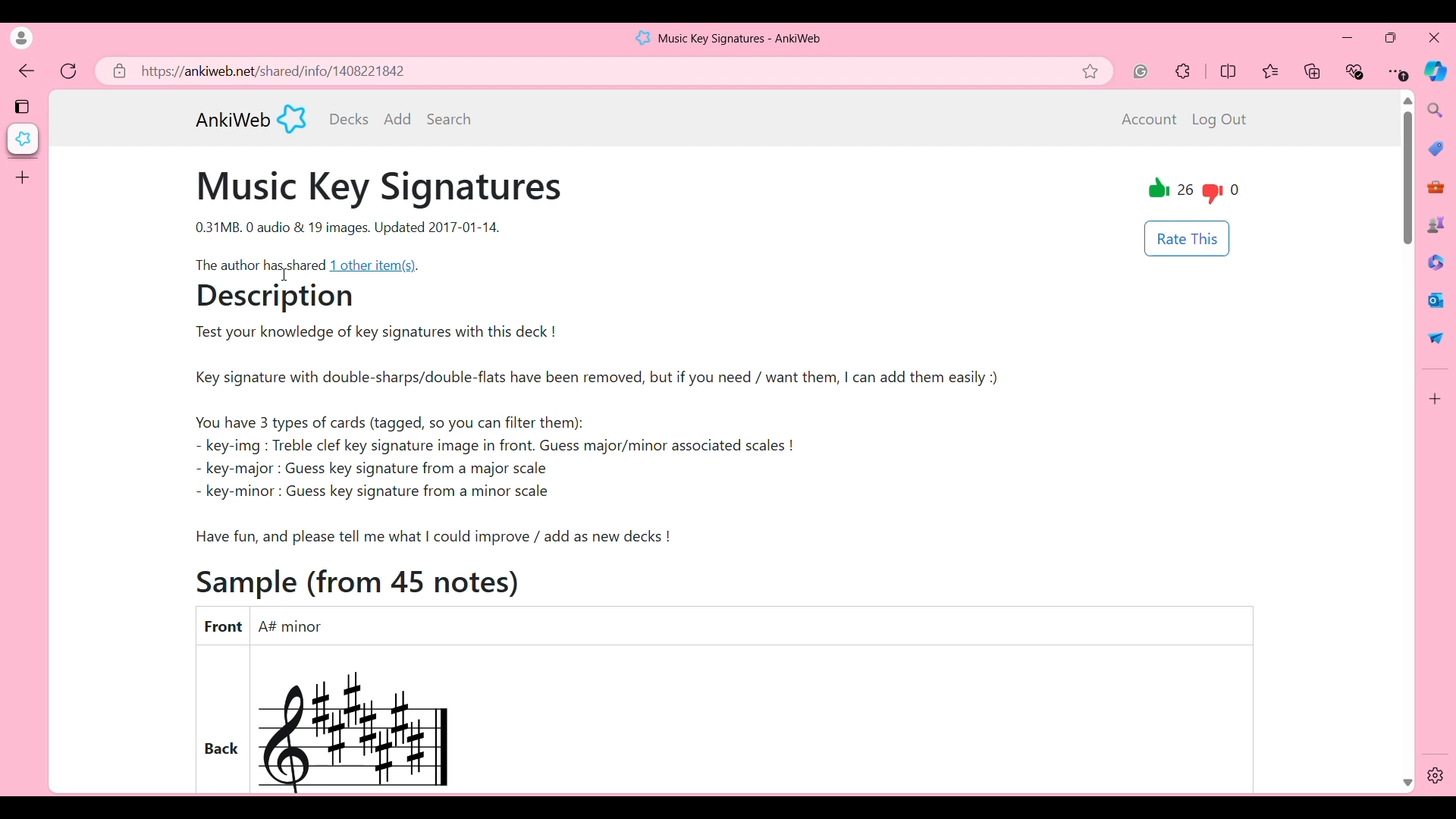  Describe the element at coordinates (619, 456) in the screenshot. I see `Key signature with double-sharps/double-flats have been removed, but if you need / want them, | can add them easily :)
You have 3 types of cards (tagged, so you can filter them):

- key-img : Treble clef key signature image in front. Guess major/minor associated scales !

- key-major : Guess key signature from a major scale

- key-minor : Guess key signature from a minor scale

Have fun, and please tell me what | could improve / add as new decks !` at that location.